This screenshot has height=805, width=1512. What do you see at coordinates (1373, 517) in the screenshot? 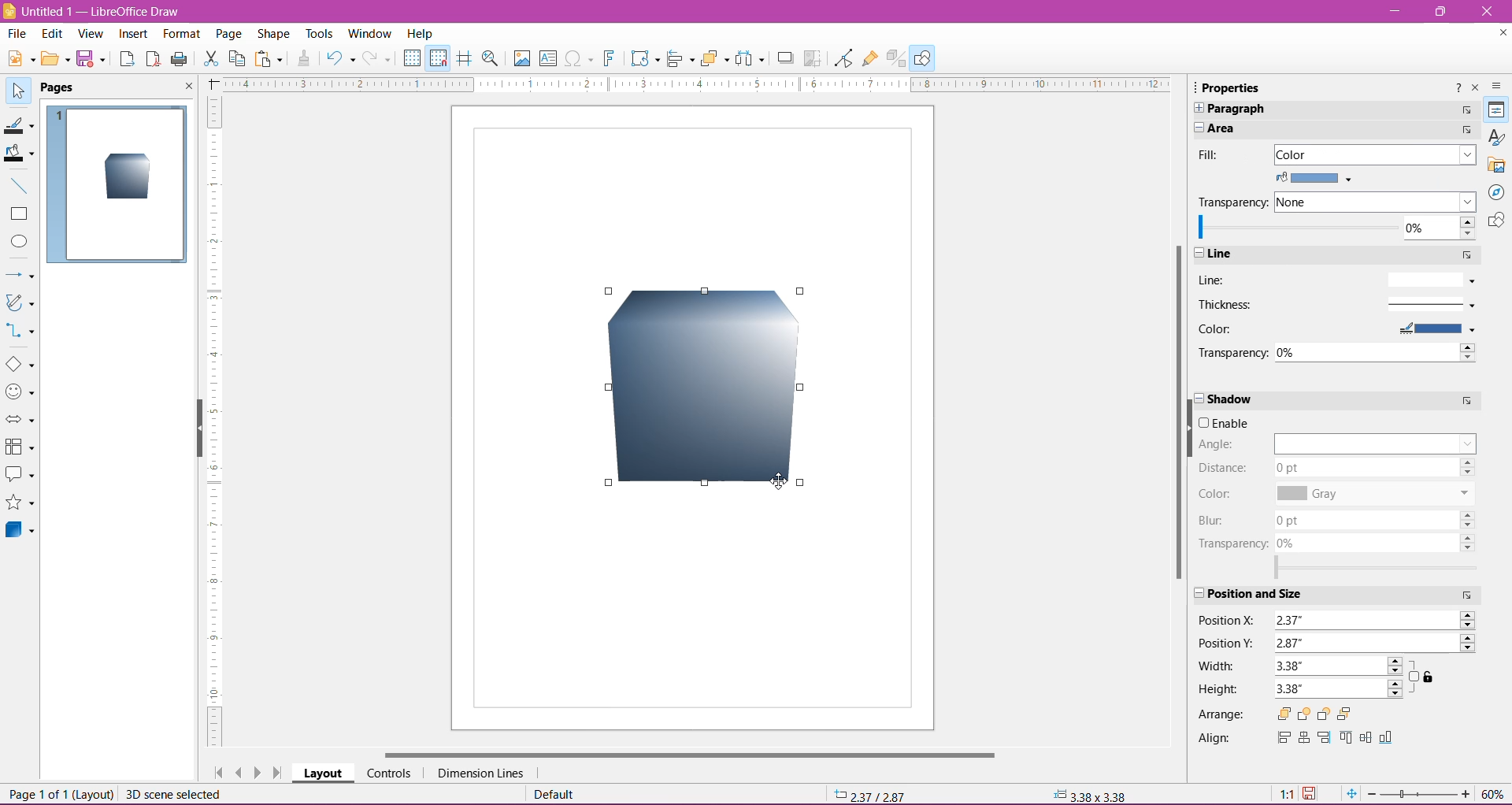
I see `Set shadow blur` at bounding box center [1373, 517].